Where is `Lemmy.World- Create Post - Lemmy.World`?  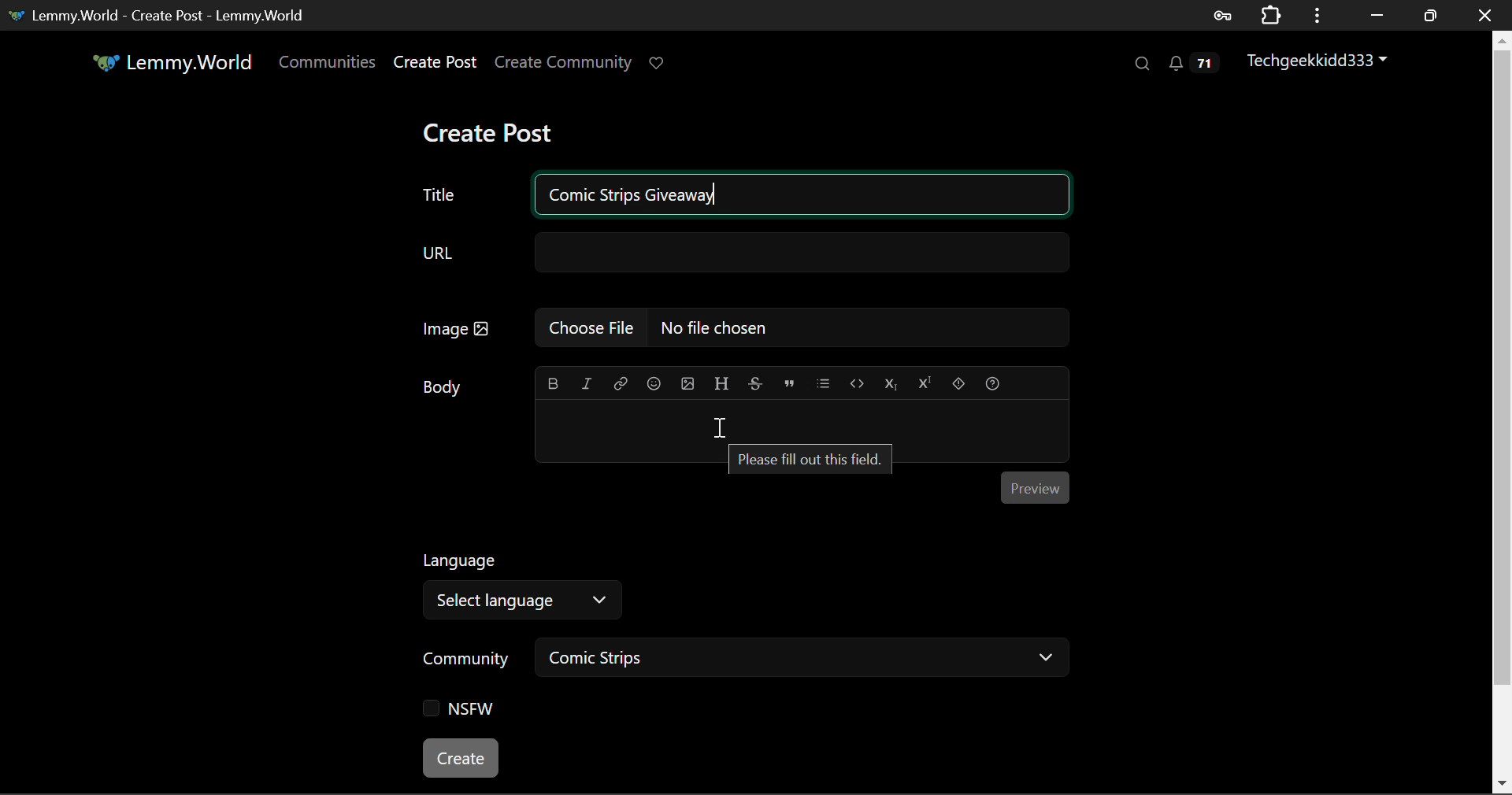
Lemmy.World- Create Post - Lemmy.World is located at coordinates (164, 15).